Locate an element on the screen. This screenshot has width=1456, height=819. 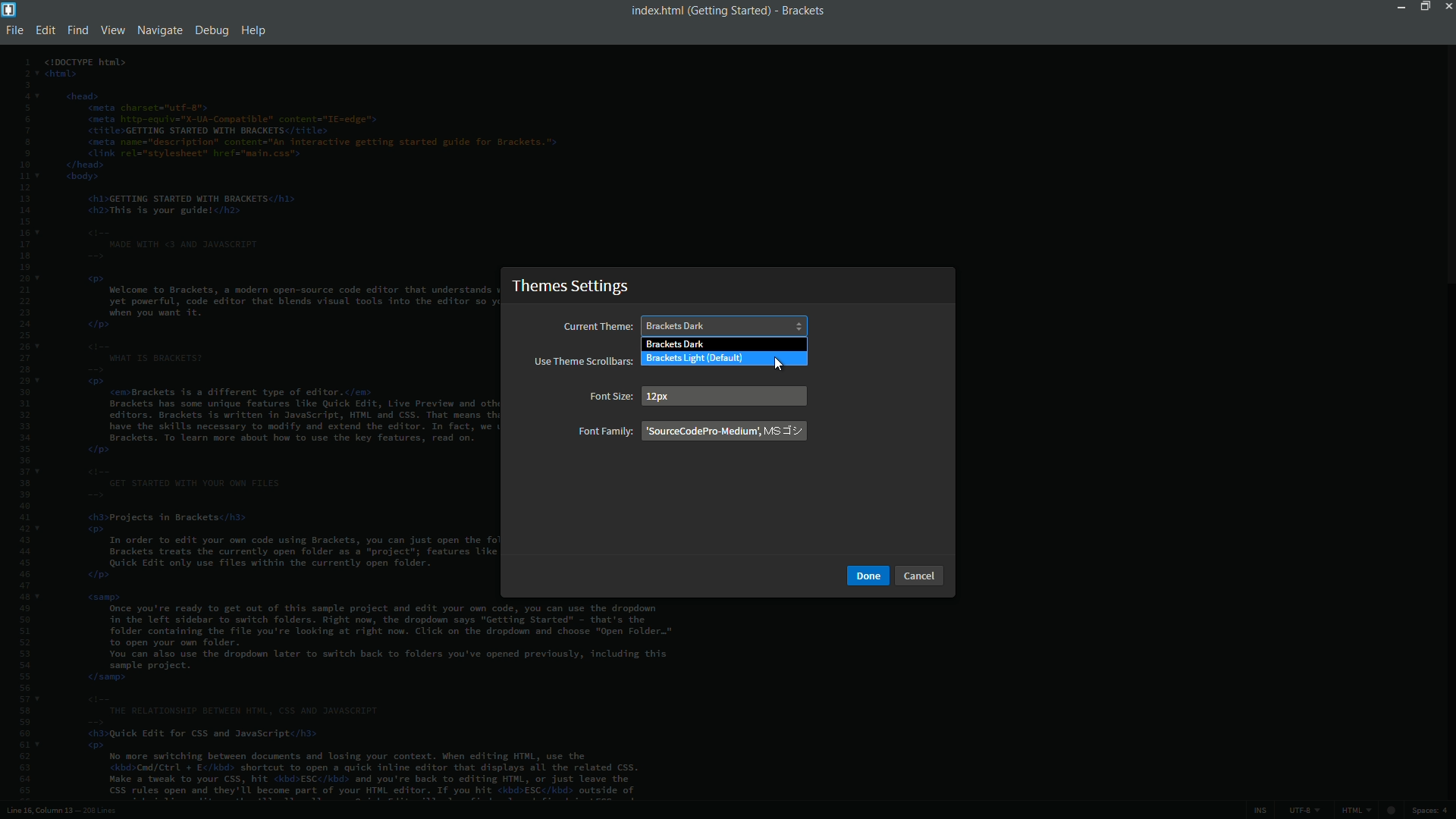
app icon is located at coordinates (9, 8).